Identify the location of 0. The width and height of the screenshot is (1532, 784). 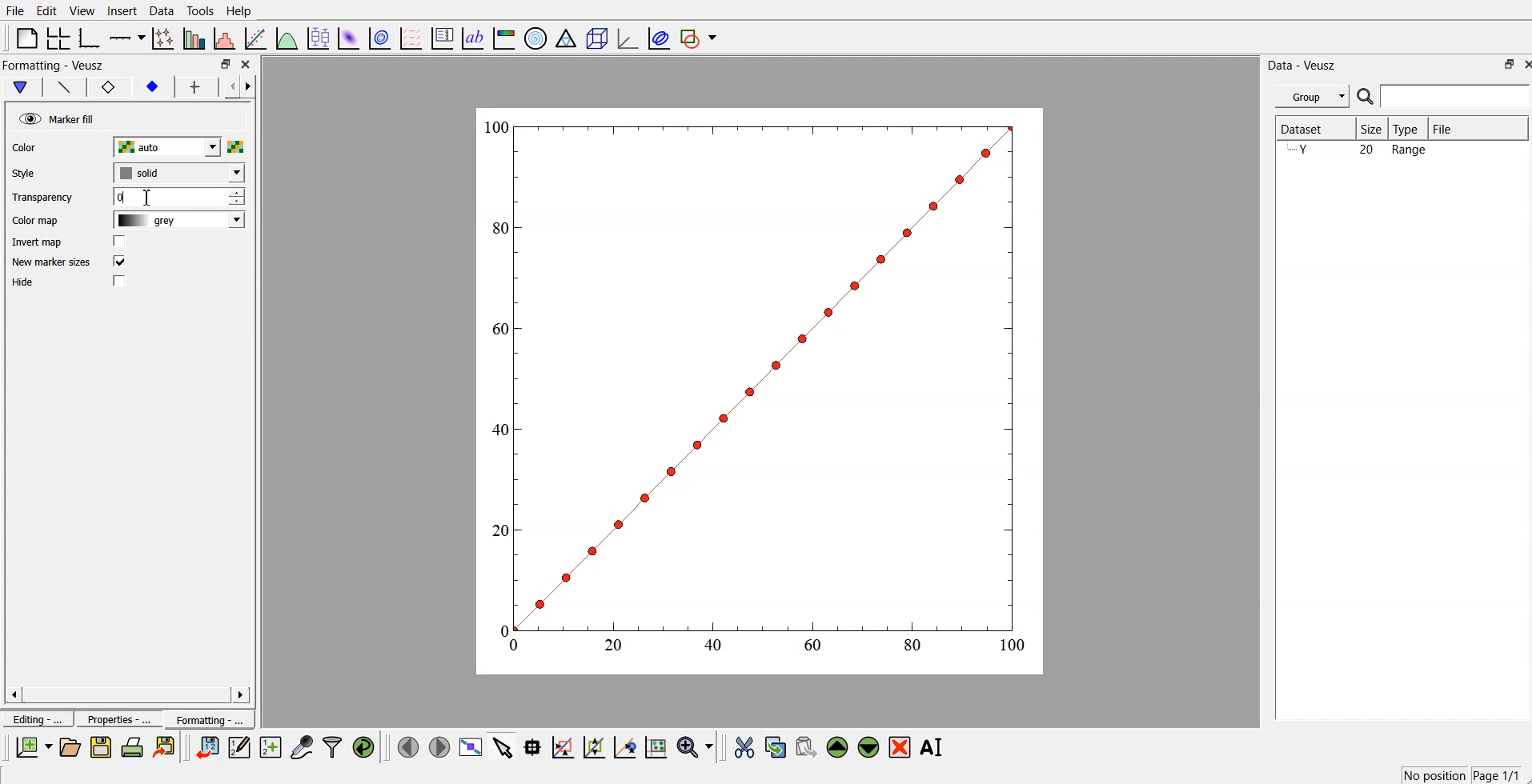
(178, 197).